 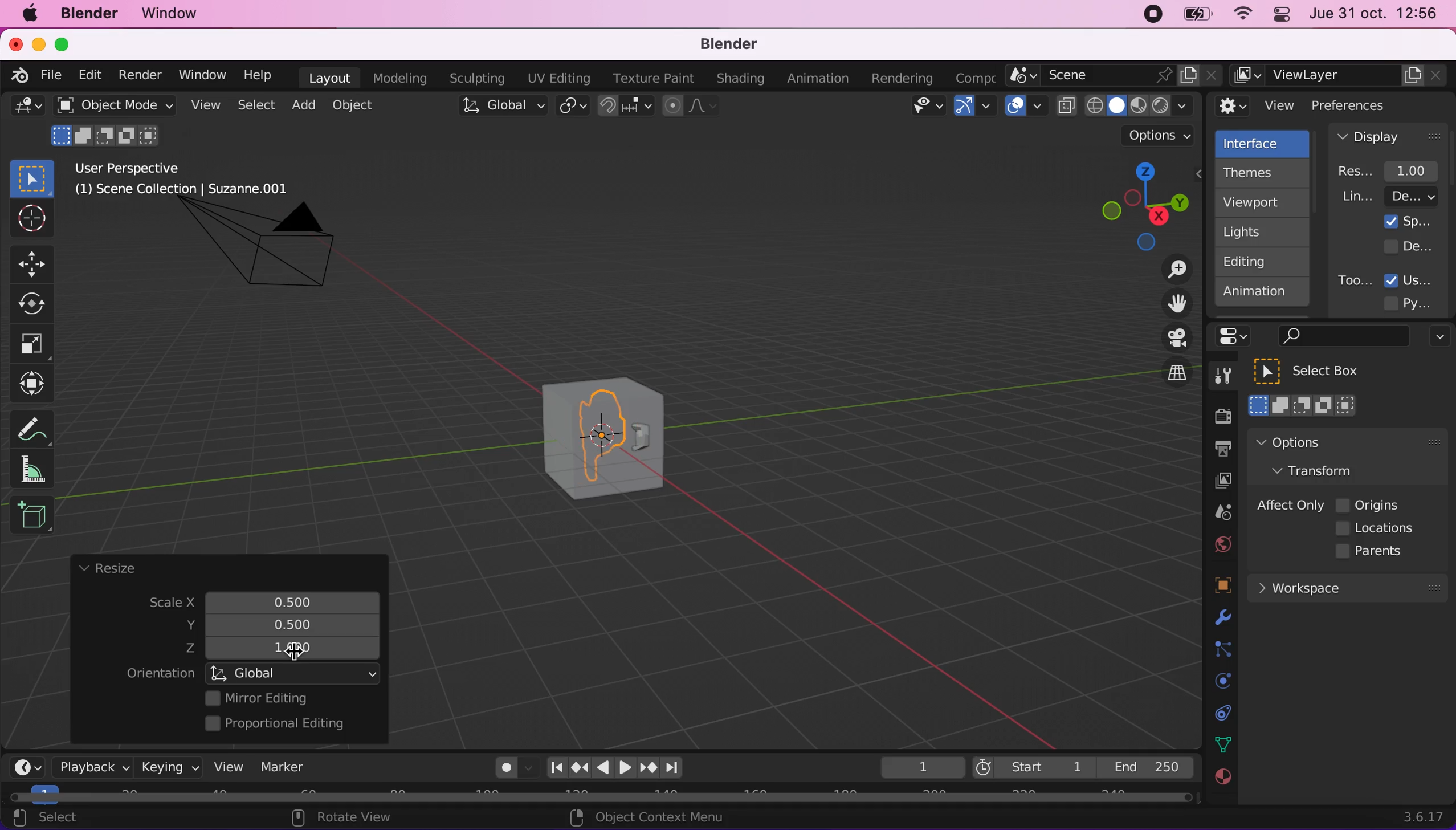 What do you see at coordinates (190, 180) in the screenshot?
I see `user perspective (1) scene collection | suzzane.001` at bounding box center [190, 180].